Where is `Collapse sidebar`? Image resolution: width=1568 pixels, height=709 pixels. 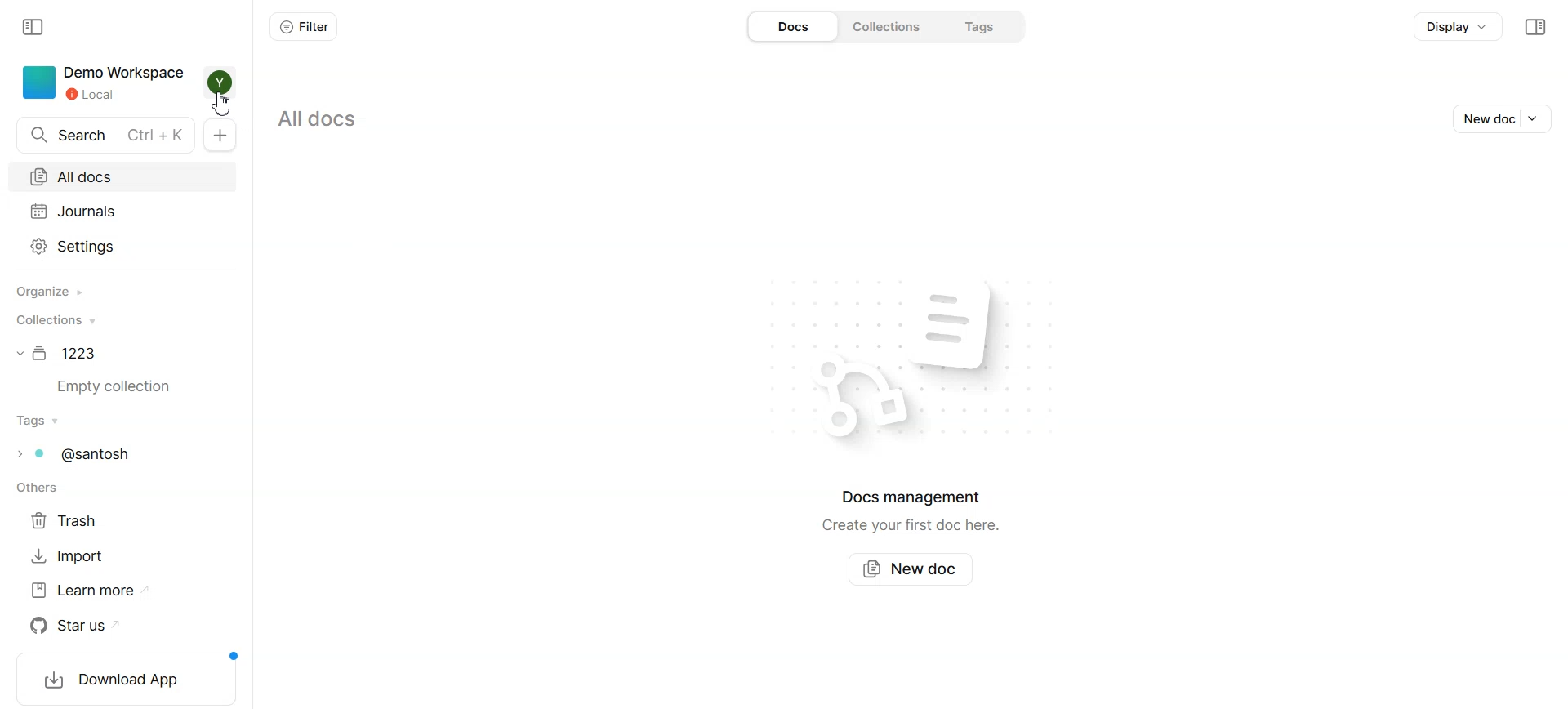
Collapse sidebar is located at coordinates (1535, 27).